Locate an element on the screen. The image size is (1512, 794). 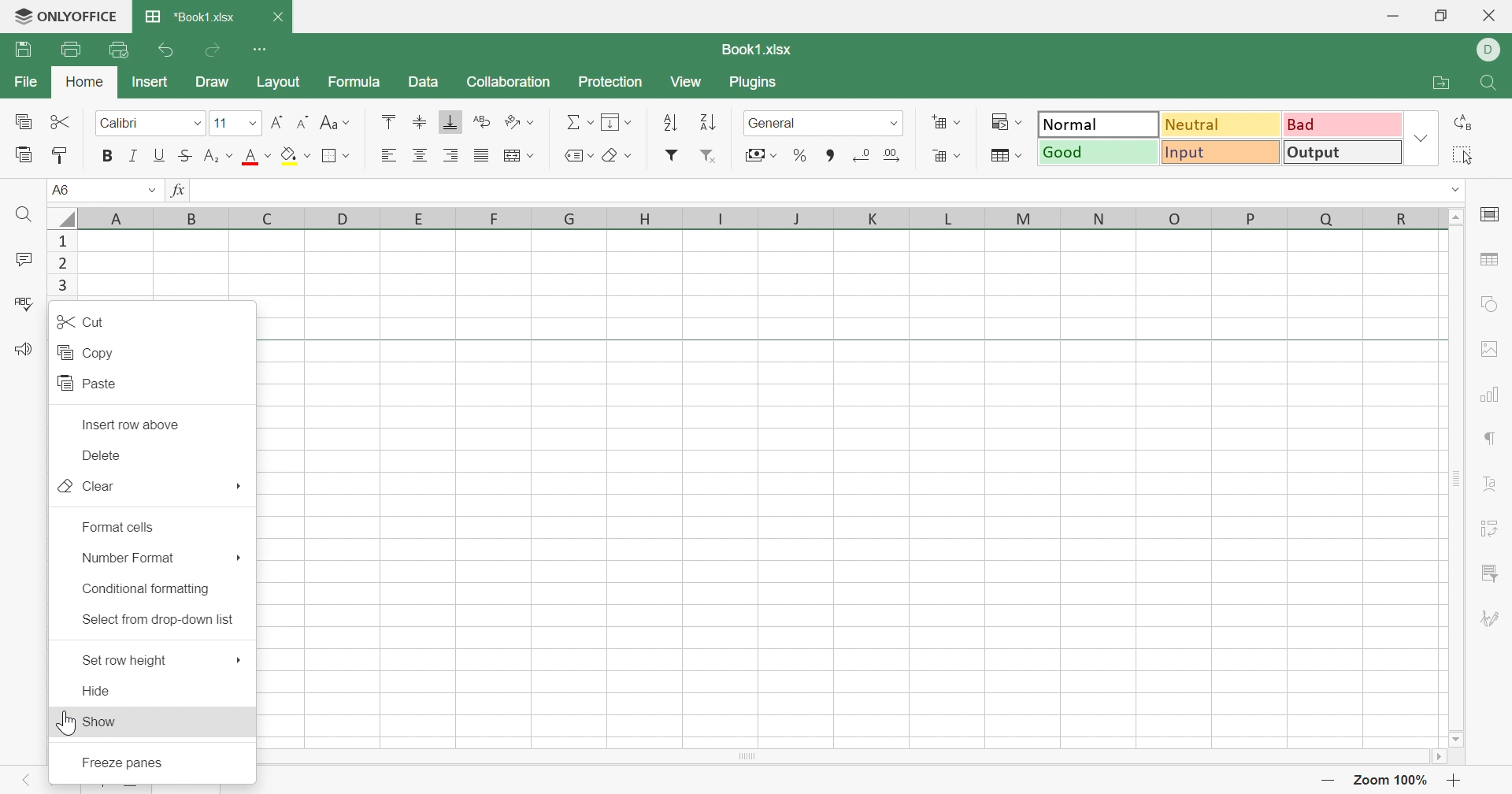
Find is located at coordinates (1489, 84).